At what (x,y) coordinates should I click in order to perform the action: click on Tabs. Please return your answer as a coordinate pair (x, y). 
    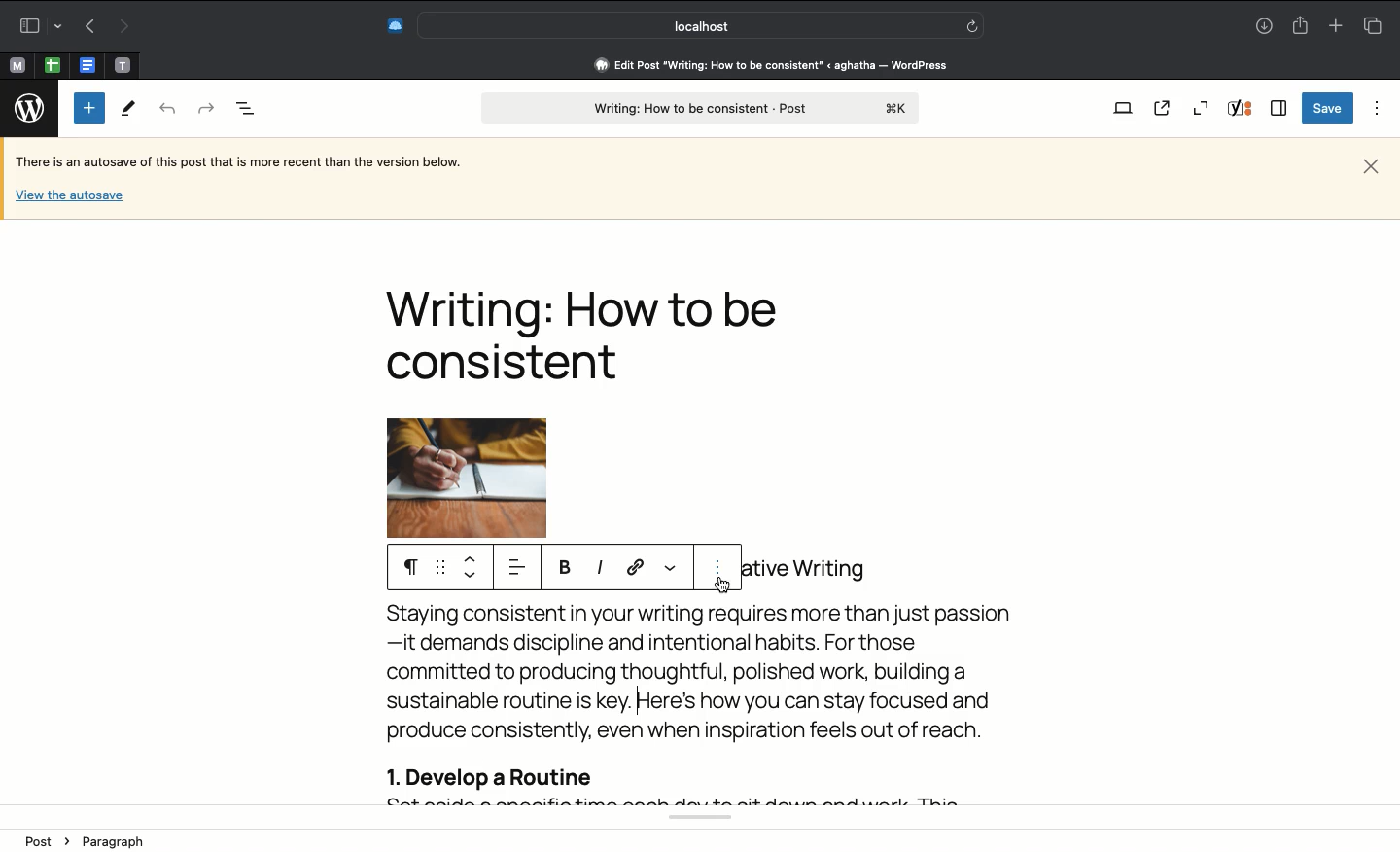
    Looking at the image, I should click on (1372, 25).